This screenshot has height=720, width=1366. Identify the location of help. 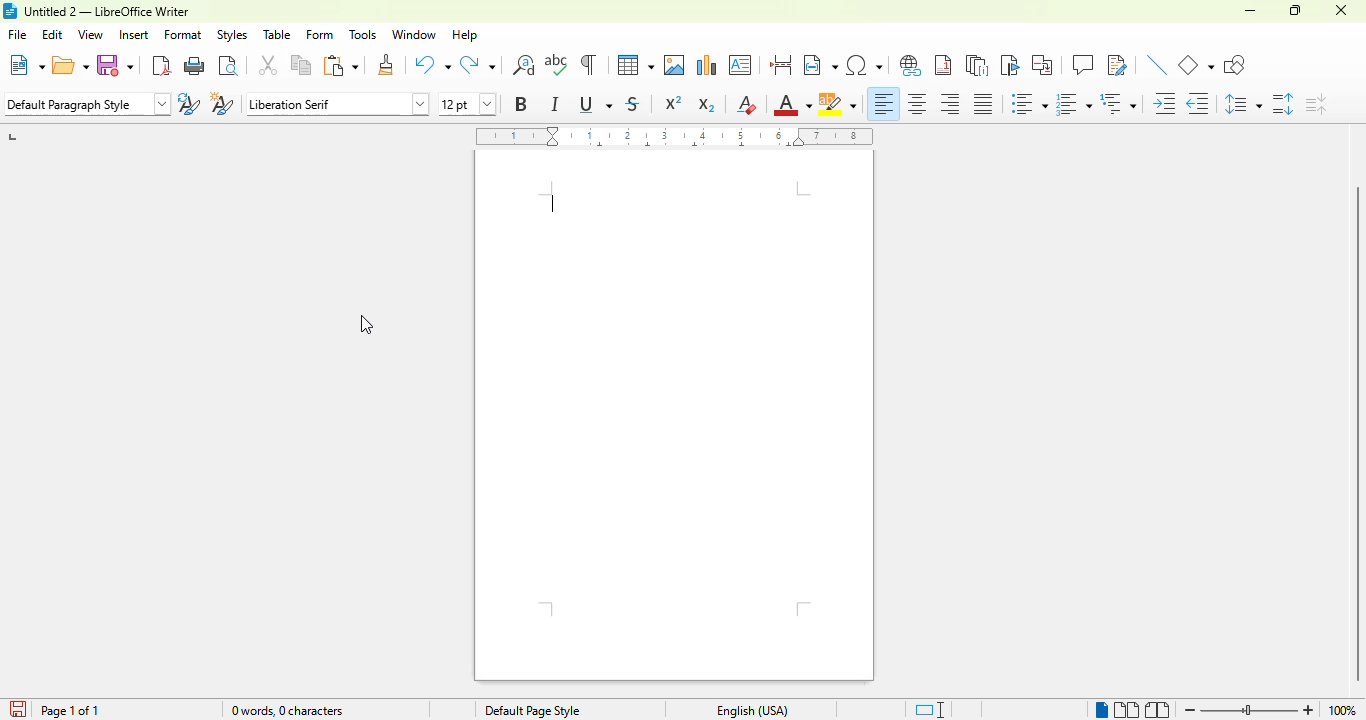
(465, 34).